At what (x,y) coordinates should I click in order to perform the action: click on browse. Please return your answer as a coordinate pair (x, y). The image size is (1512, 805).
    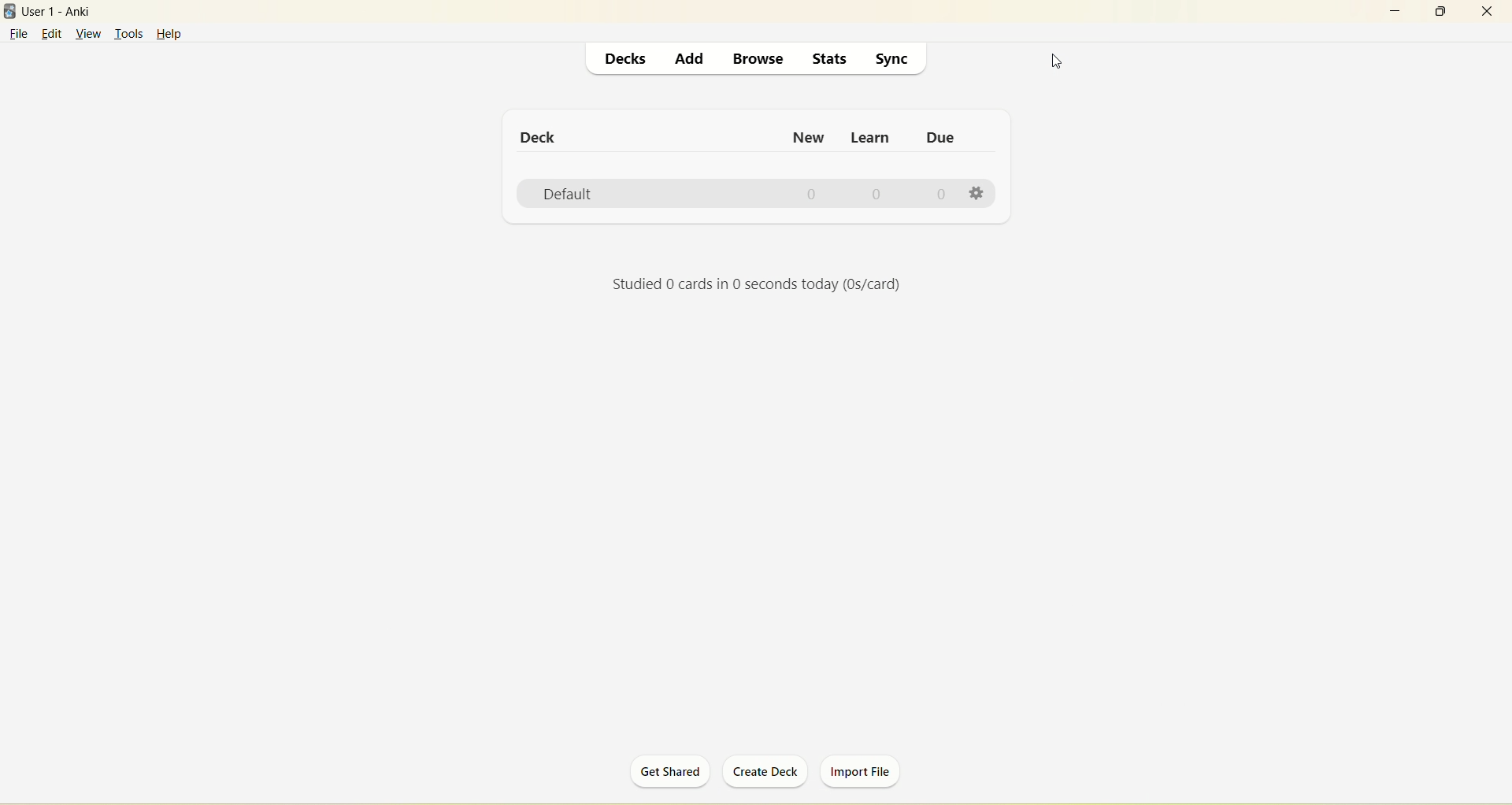
    Looking at the image, I should click on (754, 57).